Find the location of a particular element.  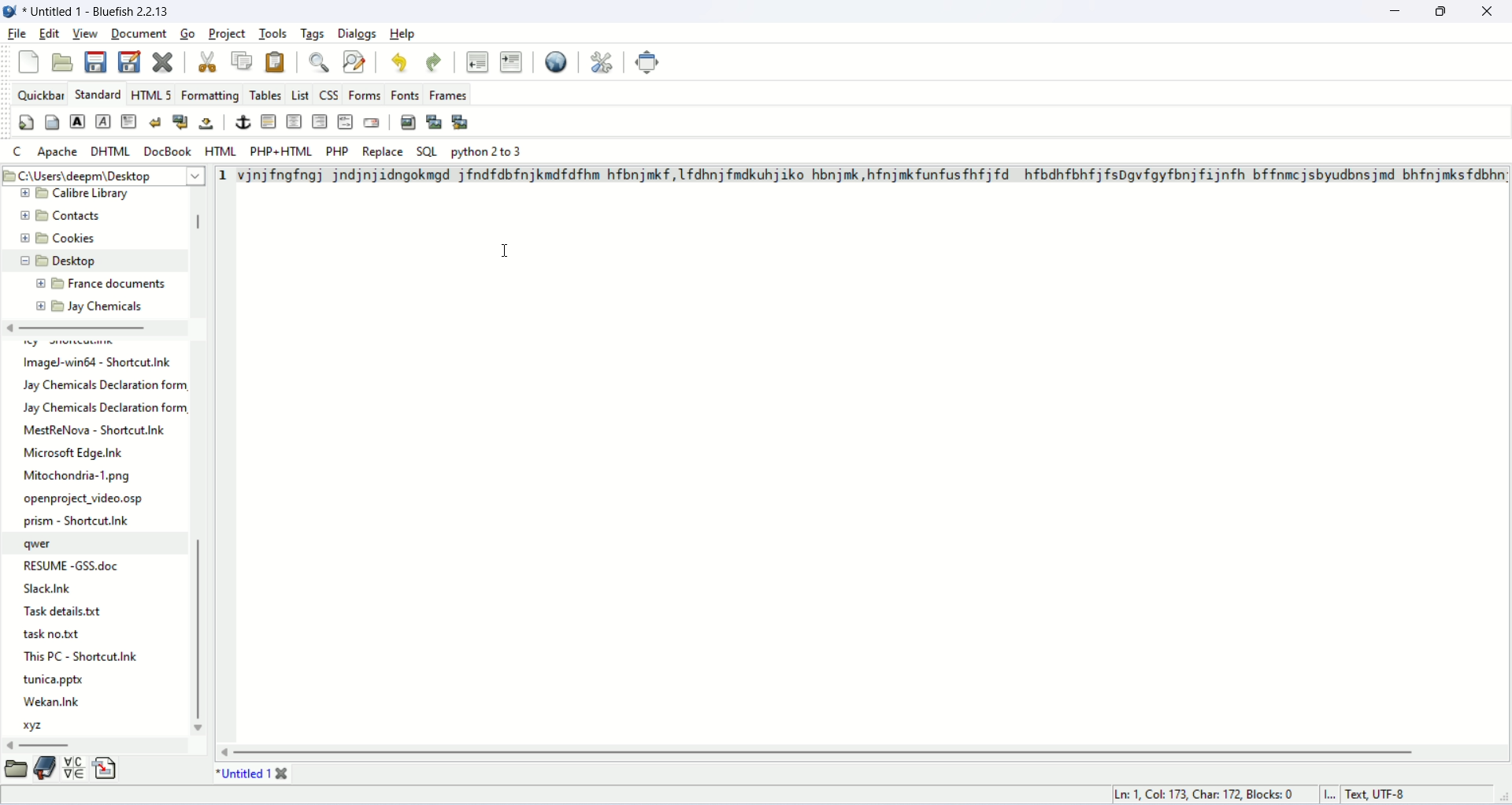

show find bar is located at coordinates (320, 62).